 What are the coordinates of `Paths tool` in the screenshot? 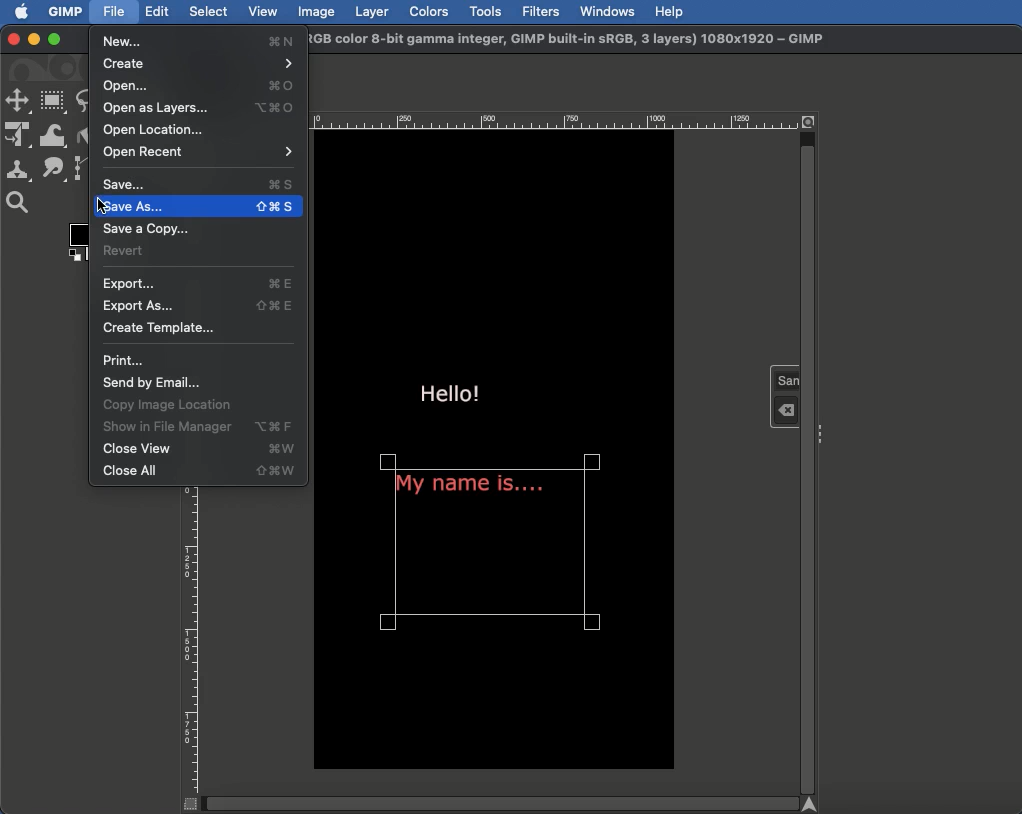 It's located at (86, 167).